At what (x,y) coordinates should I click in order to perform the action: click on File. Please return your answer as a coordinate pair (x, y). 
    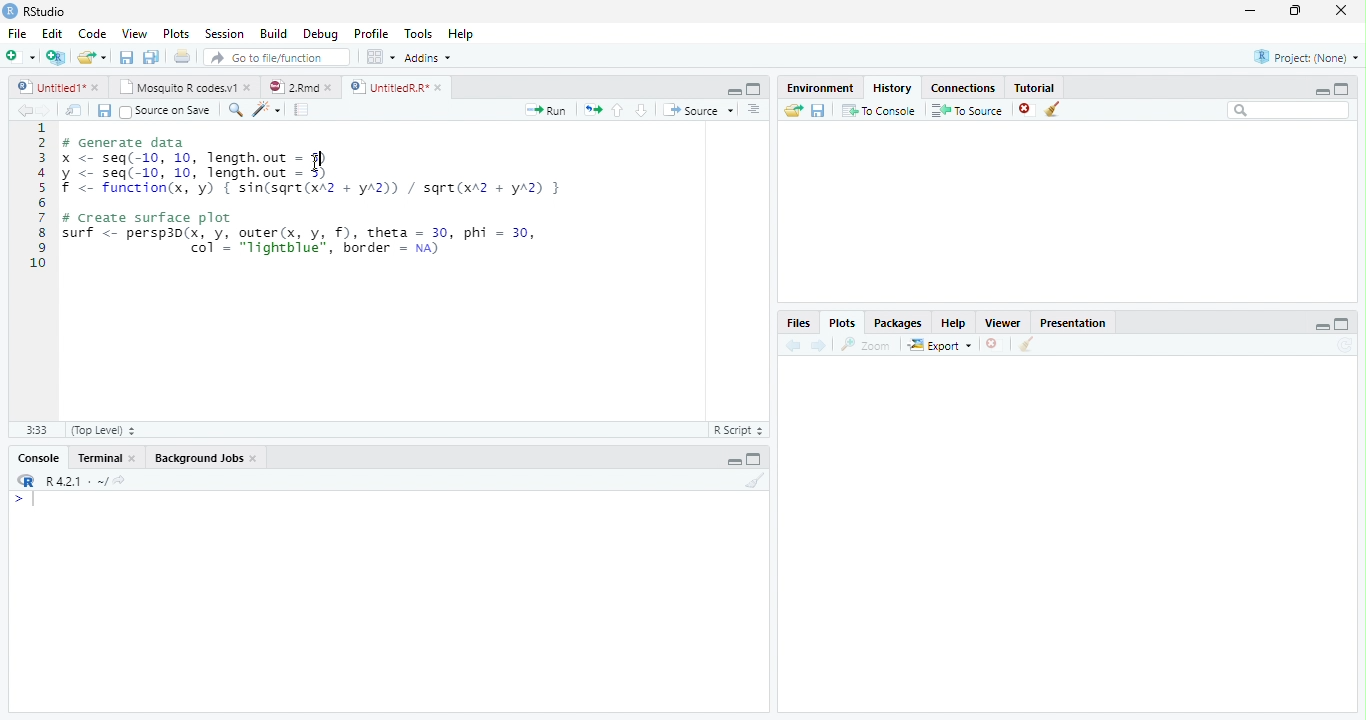
    Looking at the image, I should click on (17, 33).